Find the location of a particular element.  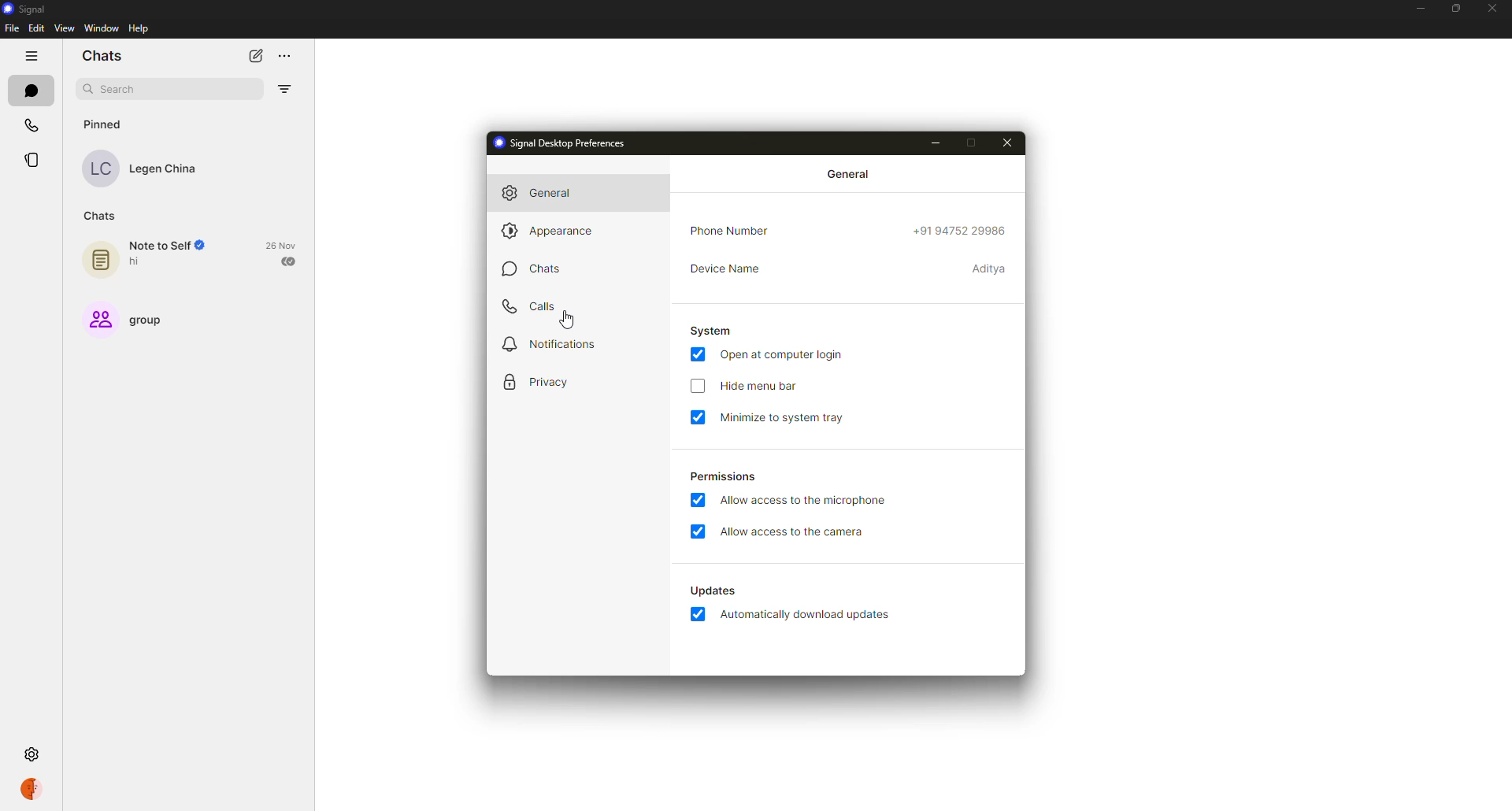

Legen China is located at coordinates (168, 170).